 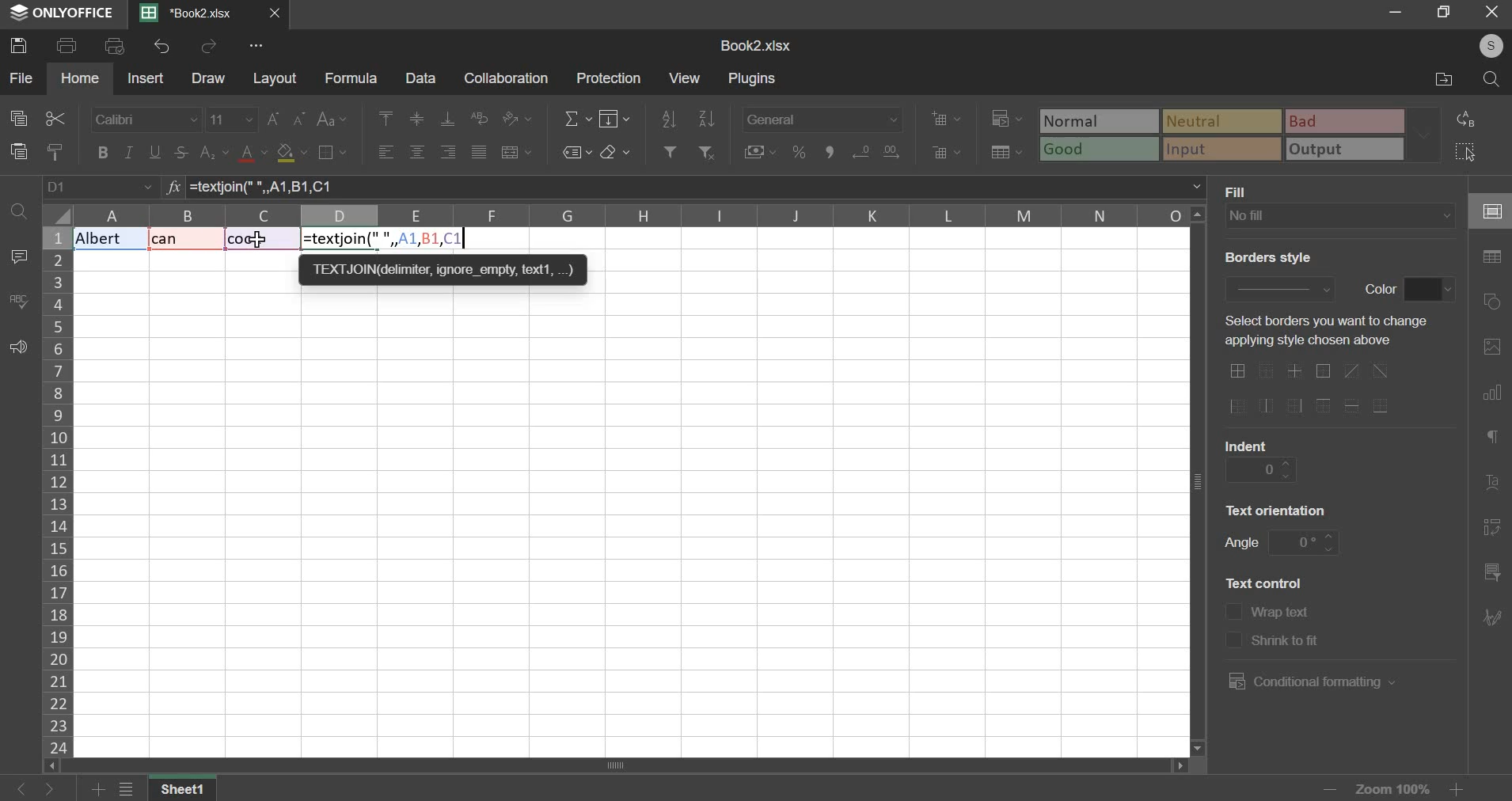 What do you see at coordinates (1261, 469) in the screenshot?
I see `indent` at bounding box center [1261, 469].